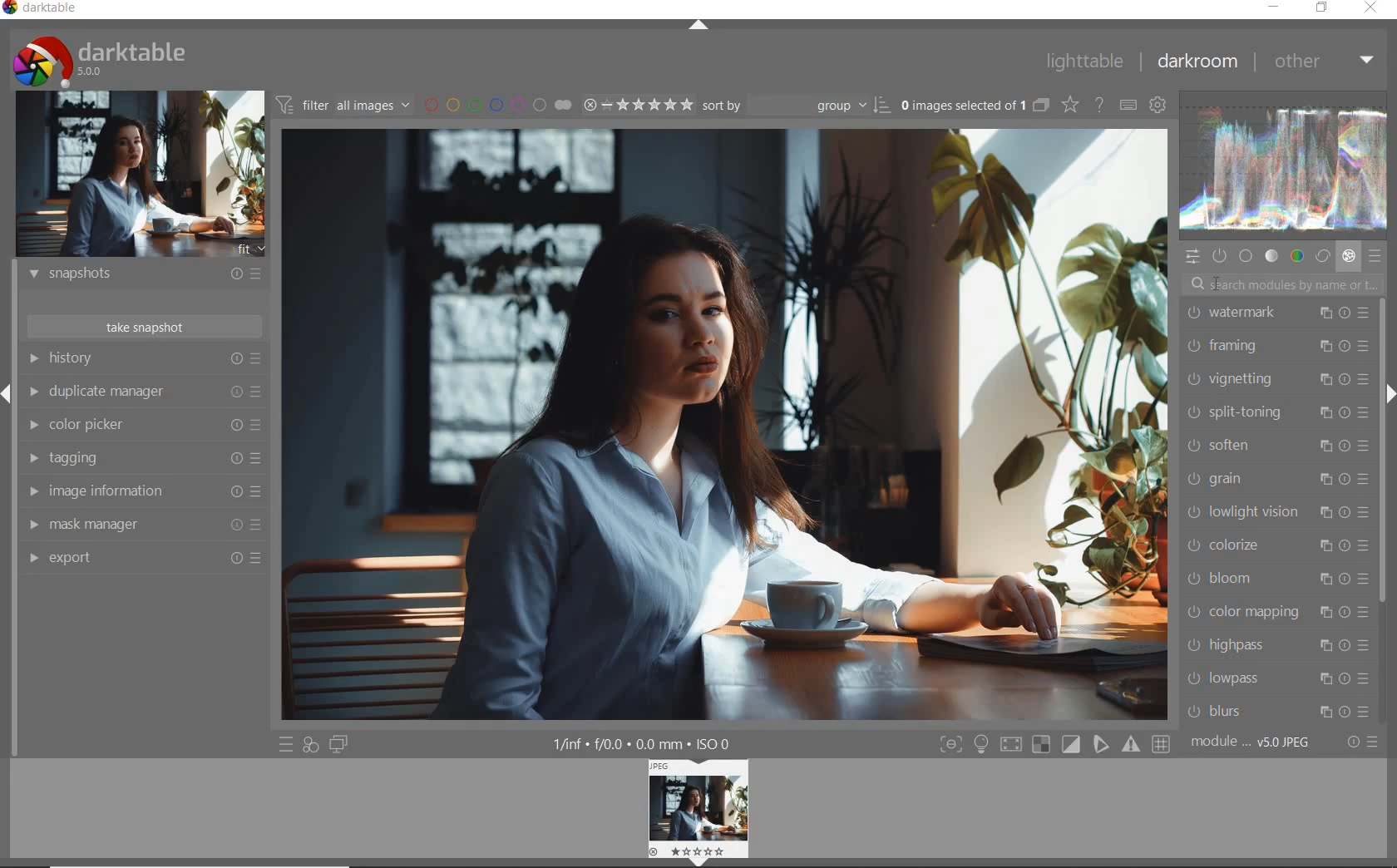 Image resolution: width=1397 pixels, height=868 pixels. I want to click on take snapshot, so click(146, 327).